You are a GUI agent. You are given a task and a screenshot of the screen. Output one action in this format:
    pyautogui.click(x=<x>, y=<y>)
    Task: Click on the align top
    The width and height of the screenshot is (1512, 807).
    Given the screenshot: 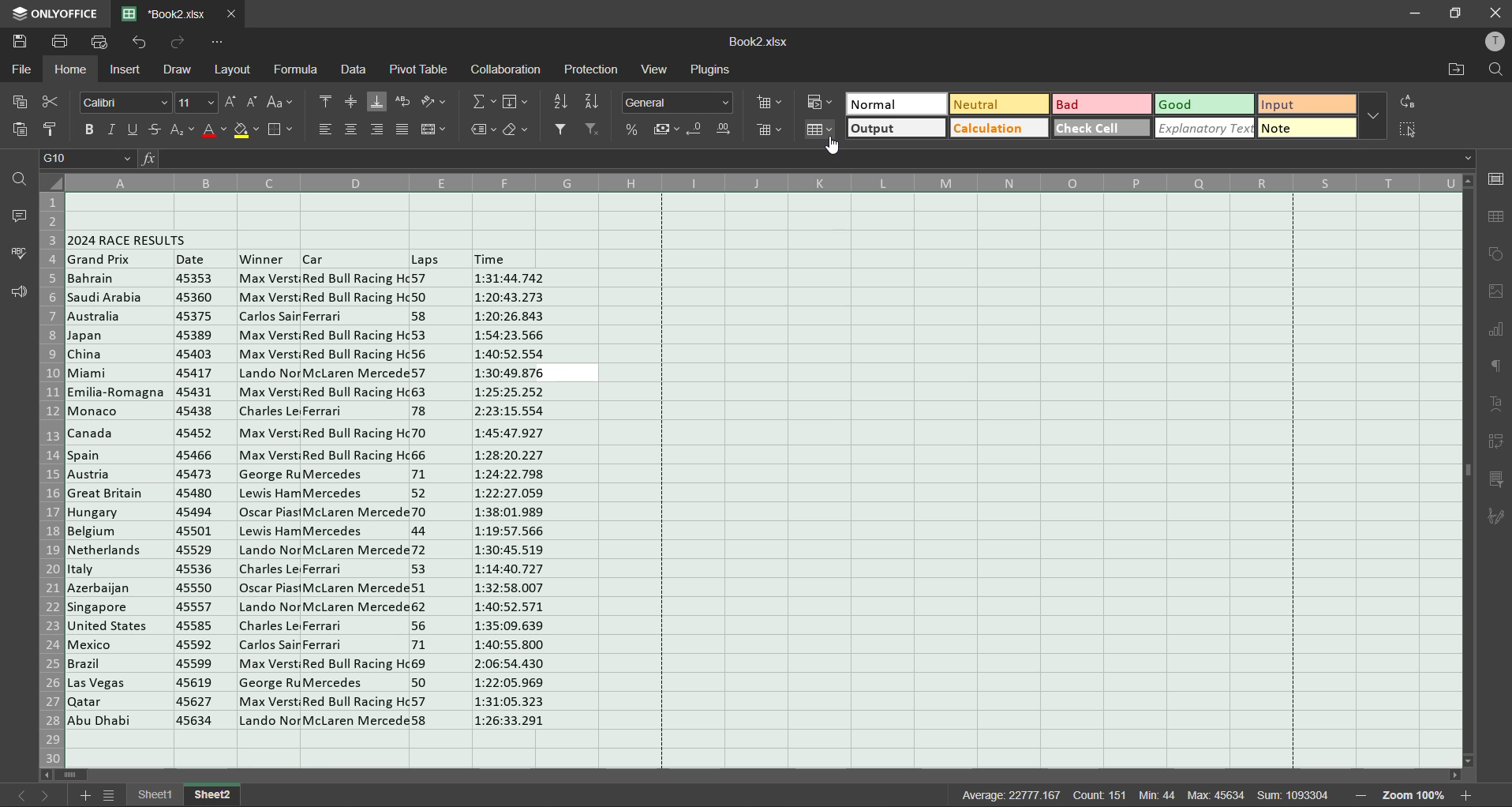 What is the action you would take?
    pyautogui.click(x=324, y=102)
    